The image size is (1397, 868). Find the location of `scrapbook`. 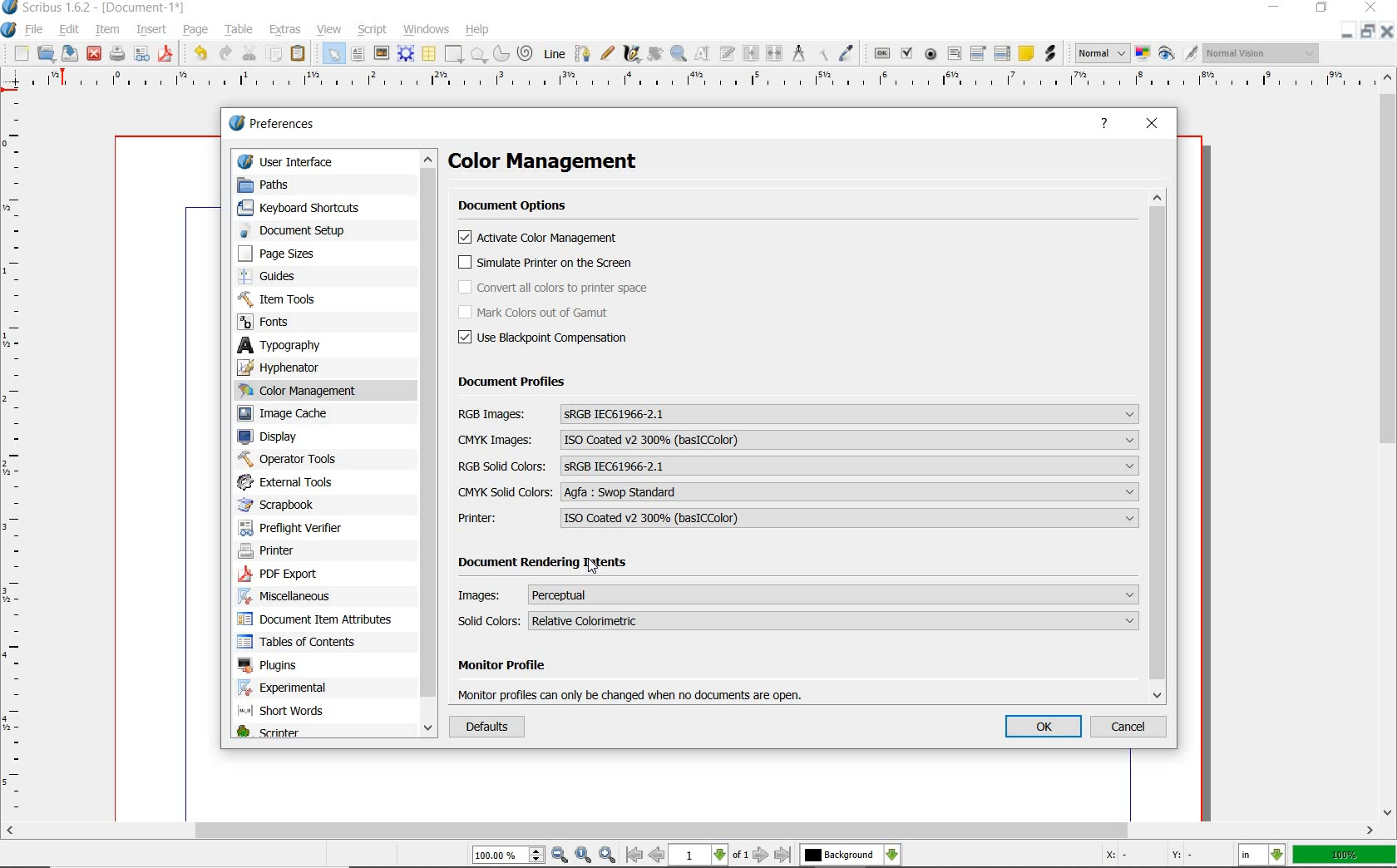

scrapbook is located at coordinates (288, 506).